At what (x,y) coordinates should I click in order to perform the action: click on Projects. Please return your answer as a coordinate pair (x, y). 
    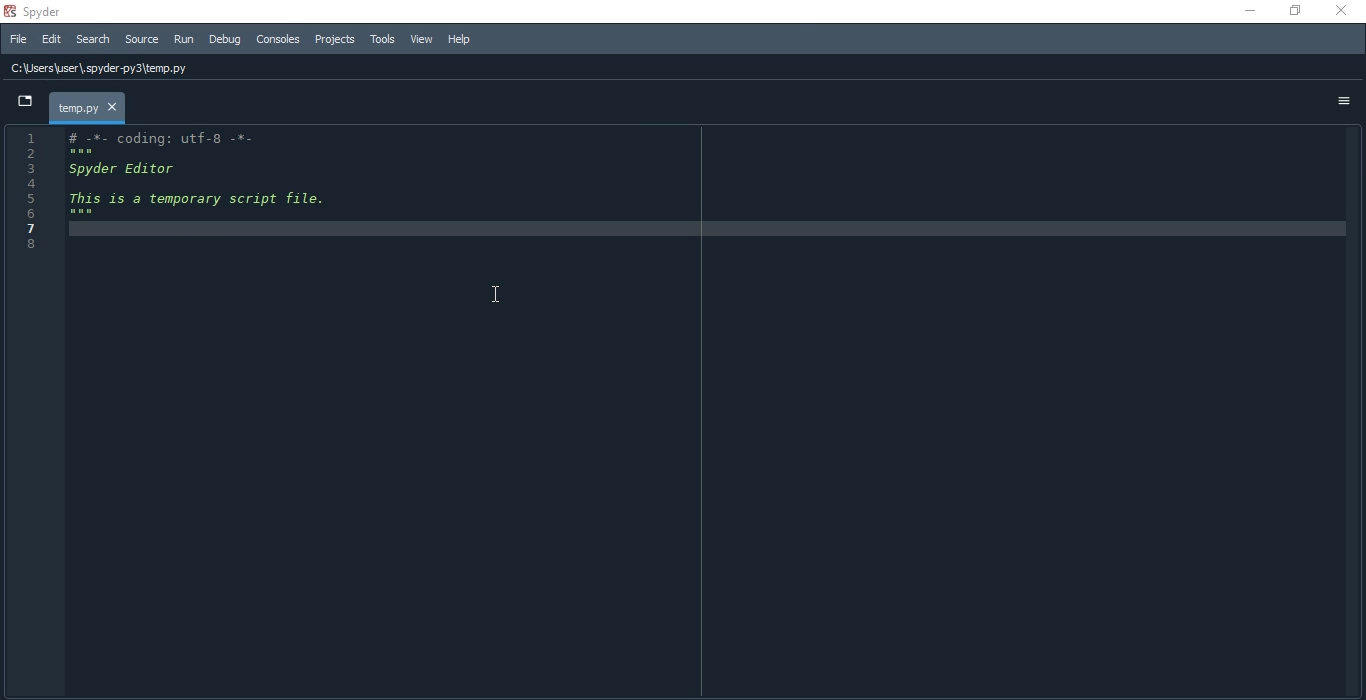
    Looking at the image, I should click on (335, 39).